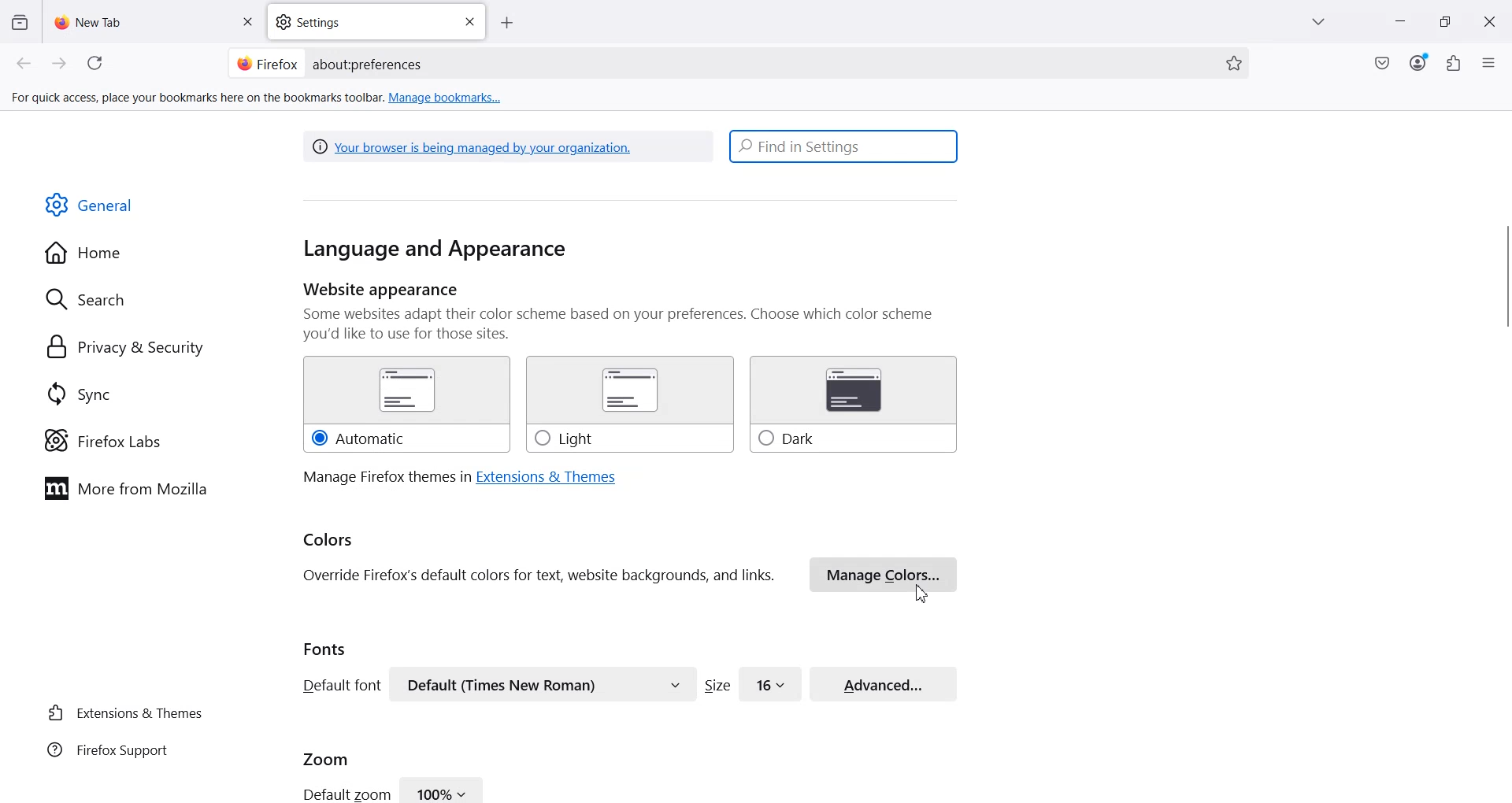 This screenshot has height=803, width=1512. What do you see at coordinates (443, 789) in the screenshot?
I see `100%` at bounding box center [443, 789].